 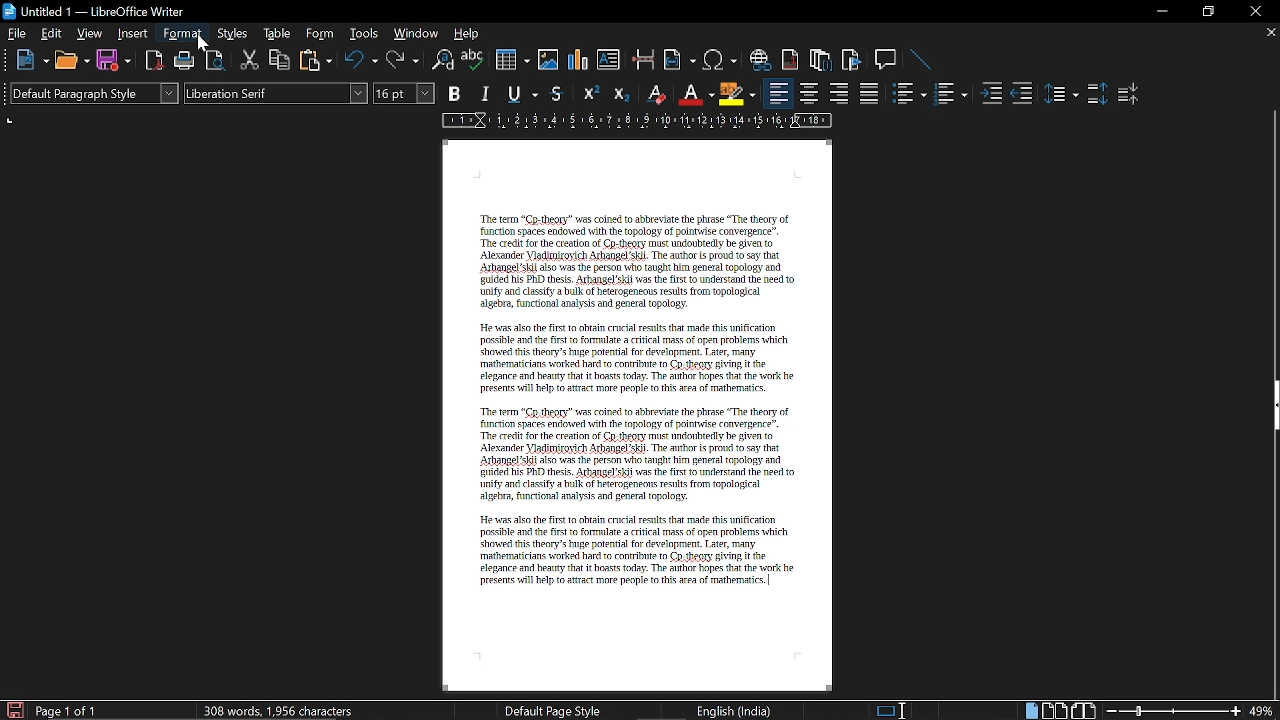 I want to click on Close, so click(x=1257, y=13).